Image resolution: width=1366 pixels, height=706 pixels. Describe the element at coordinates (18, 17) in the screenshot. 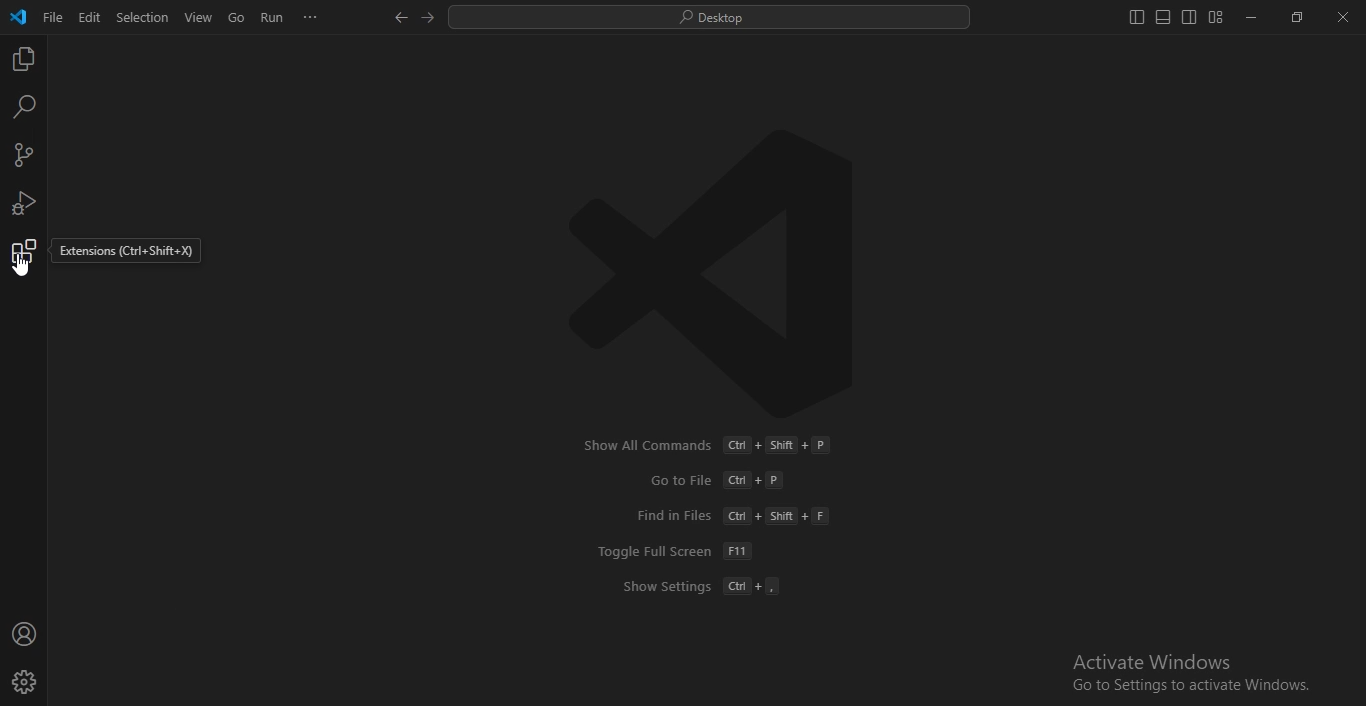

I see `vscode icon` at that location.